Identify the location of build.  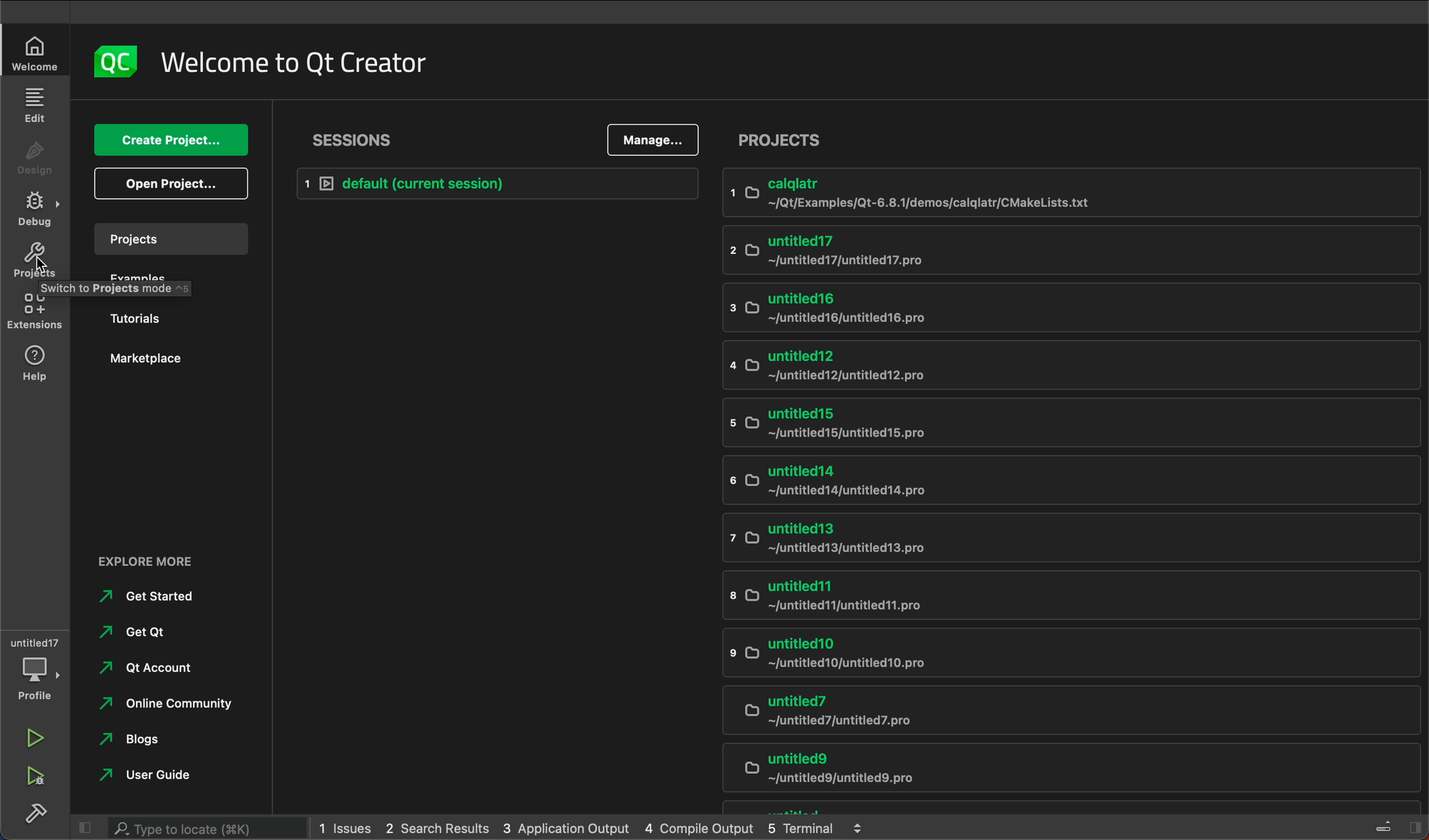
(38, 813).